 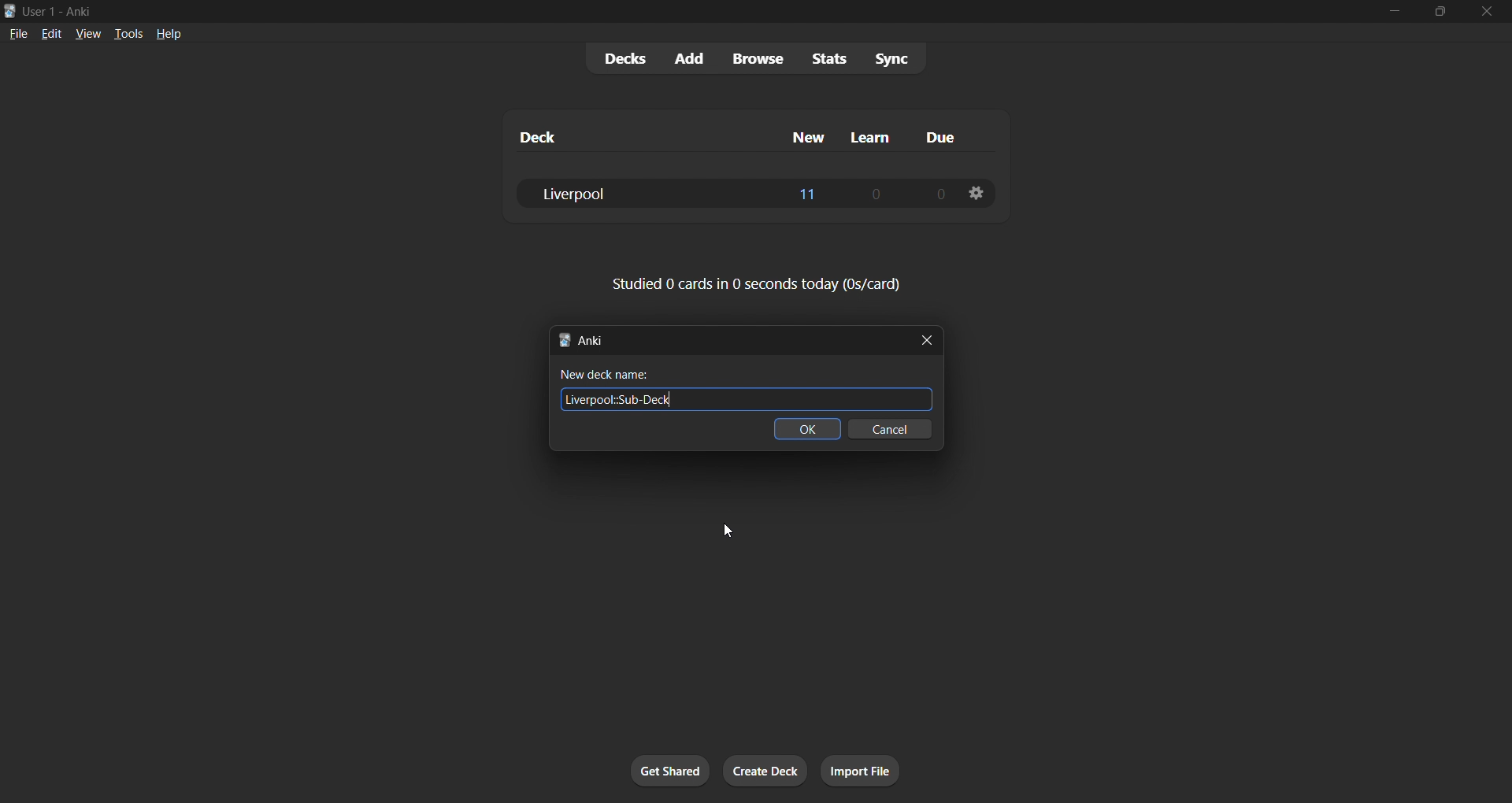 What do you see at coordinates (738, 193) in the screenshot?
I see `liverpool deck data` at bounding box center [738, 193].